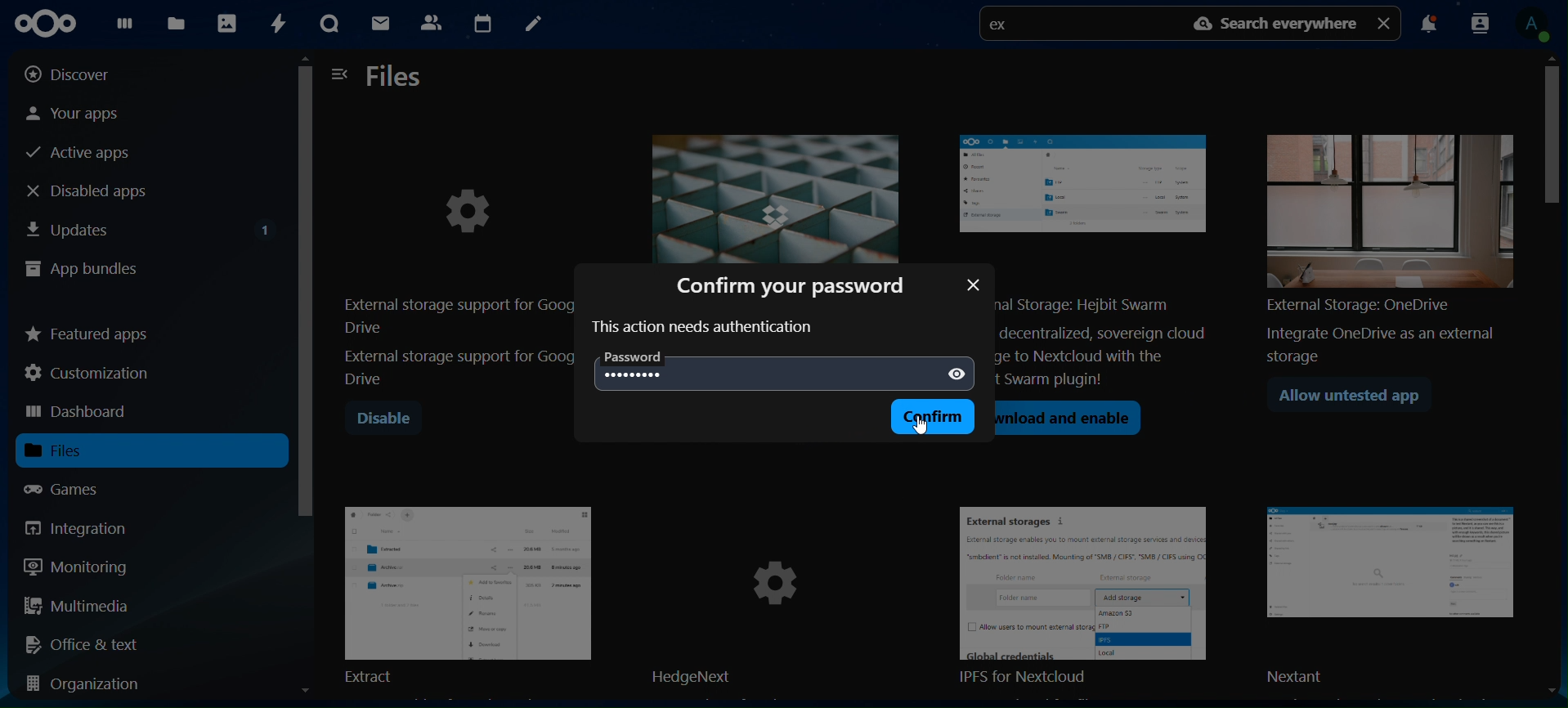  Describe the element at coordinates (1428, 26) in the screenshot. I see `notifications` at that location.